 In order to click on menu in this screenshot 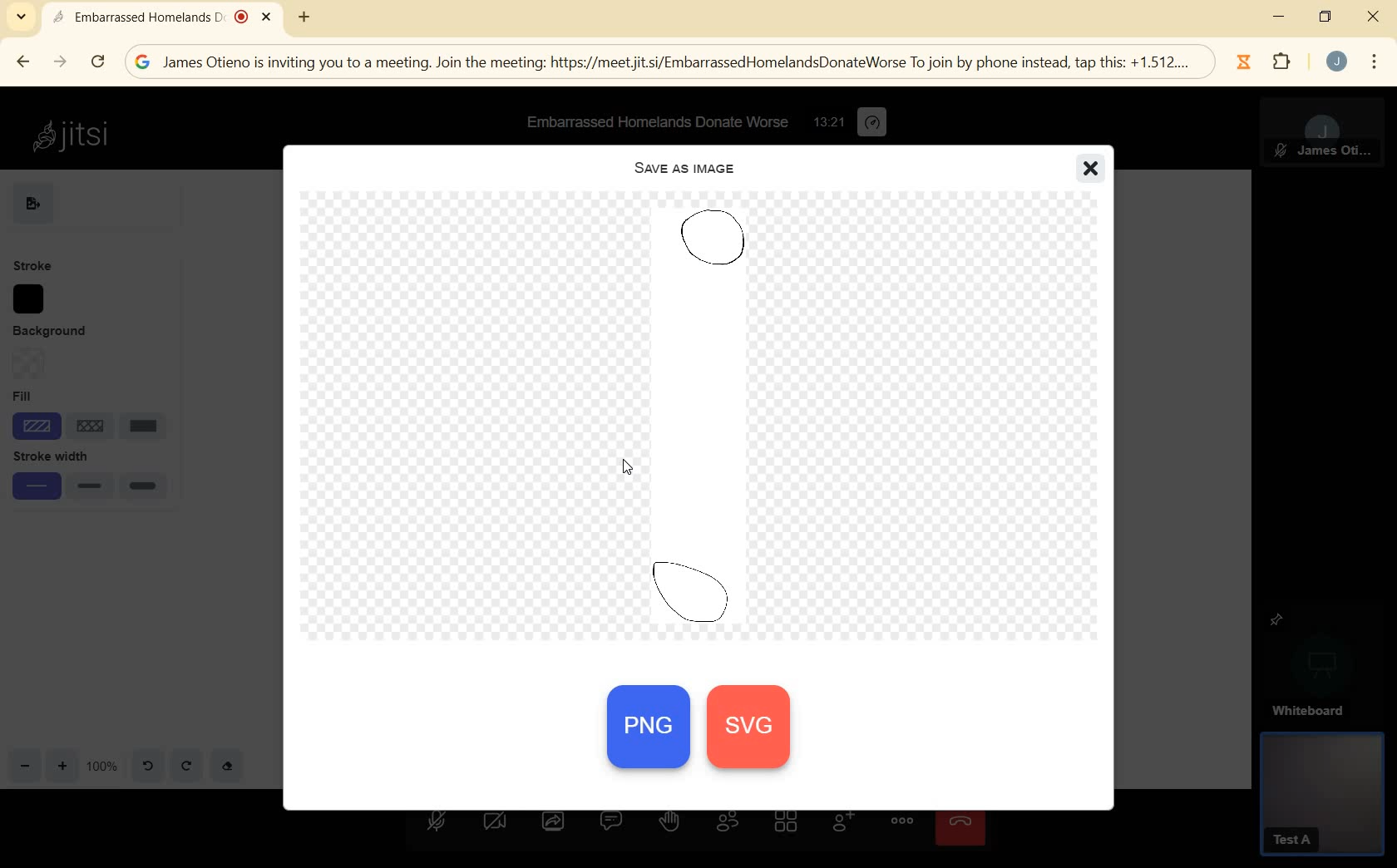, I will do `click(1374, 60)`.